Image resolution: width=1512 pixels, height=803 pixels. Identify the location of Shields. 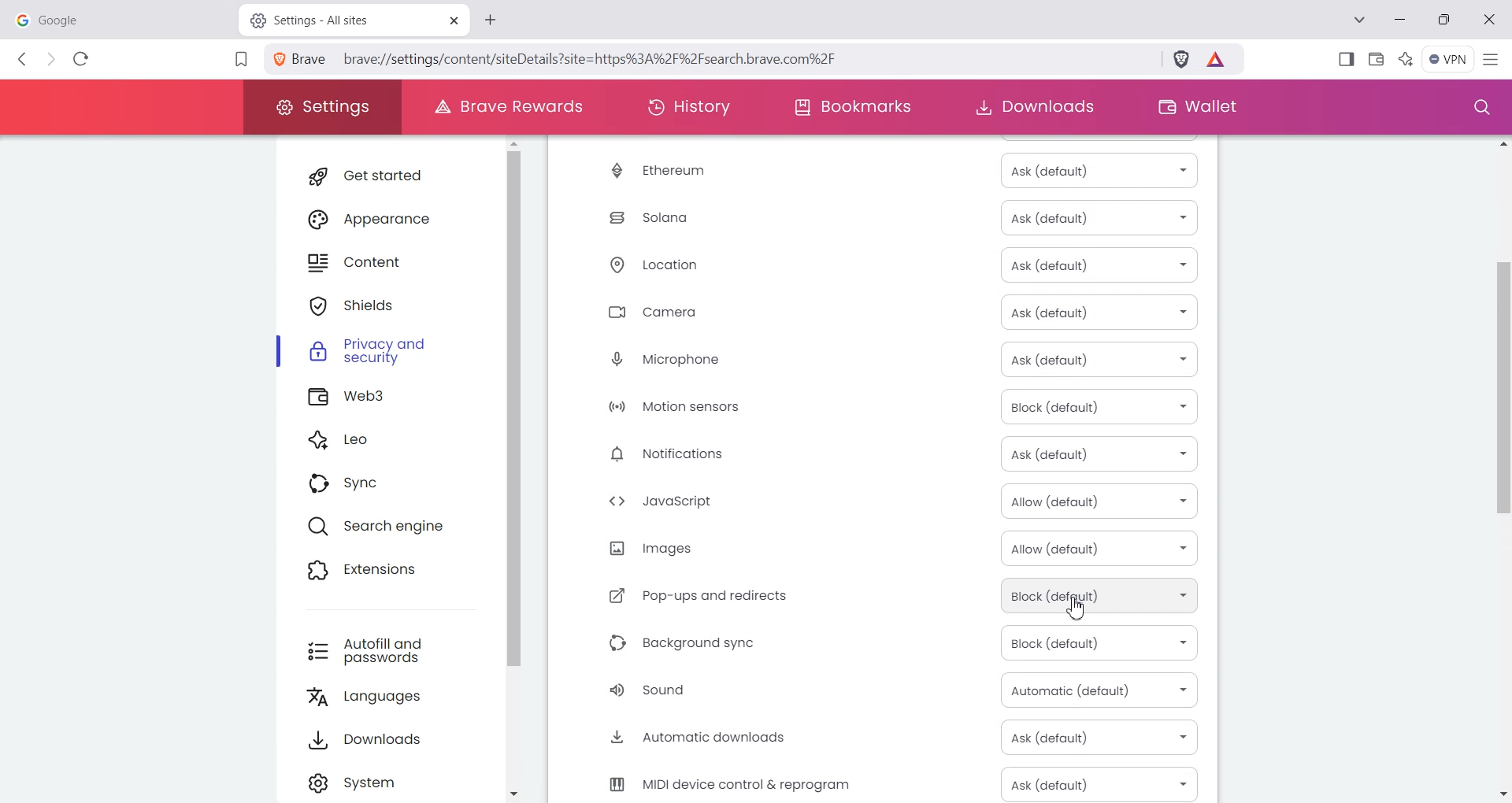
(390, 305).